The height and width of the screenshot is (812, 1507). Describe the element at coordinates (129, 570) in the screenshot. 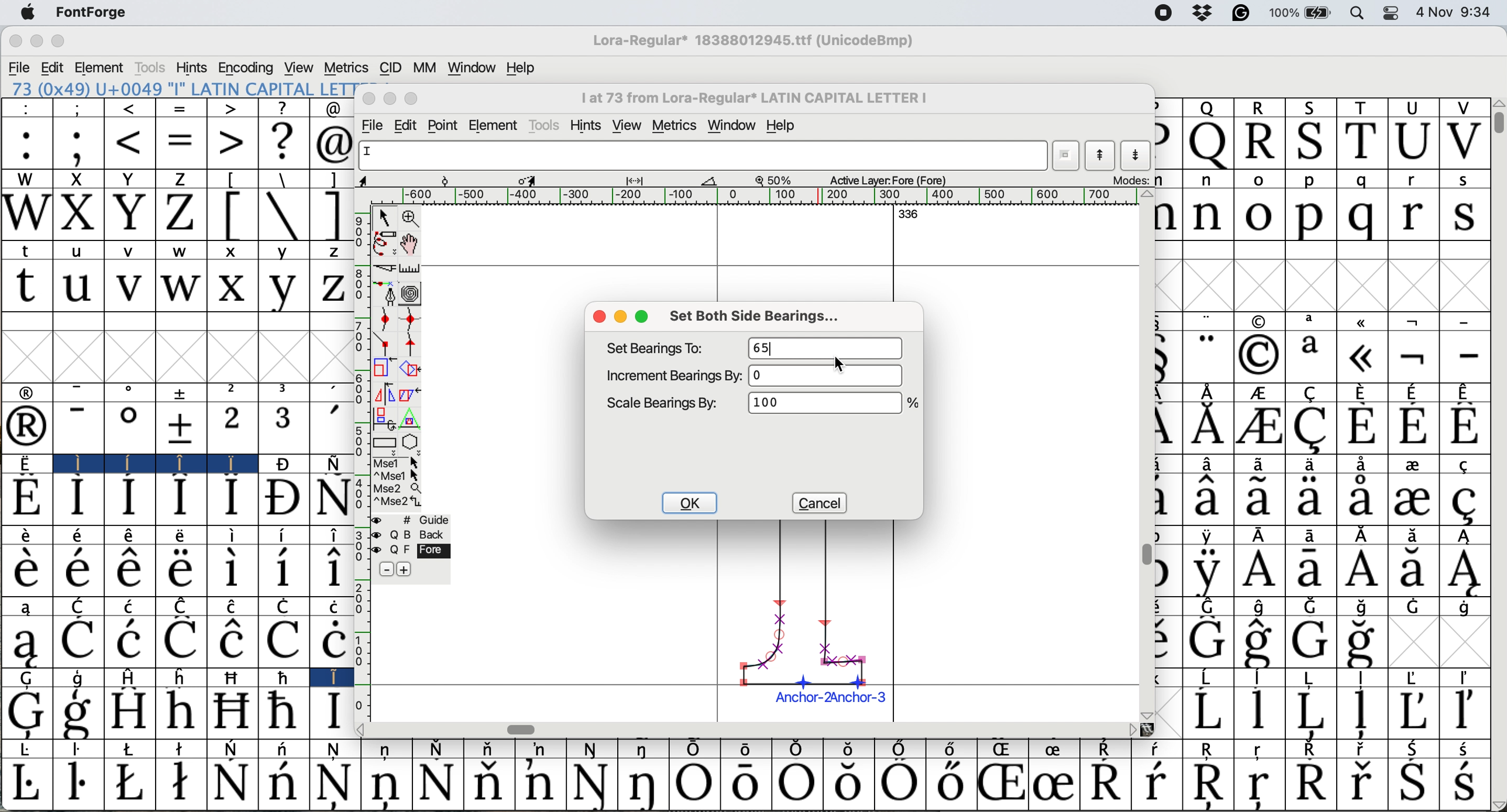

I see `Symbol` at that location.